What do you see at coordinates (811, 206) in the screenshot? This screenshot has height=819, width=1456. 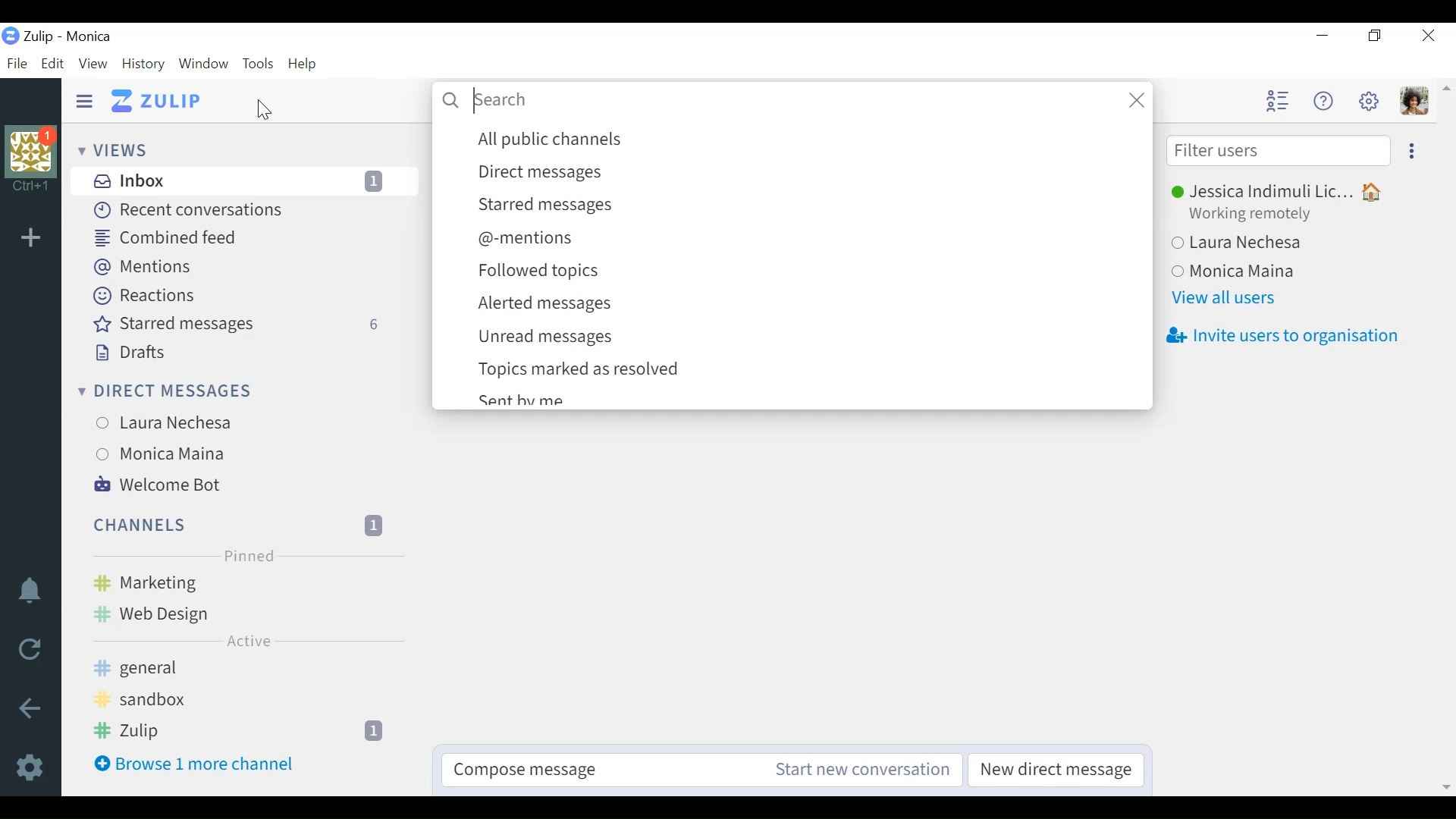 I see `Starred messages` at bounding box center [811, 206].